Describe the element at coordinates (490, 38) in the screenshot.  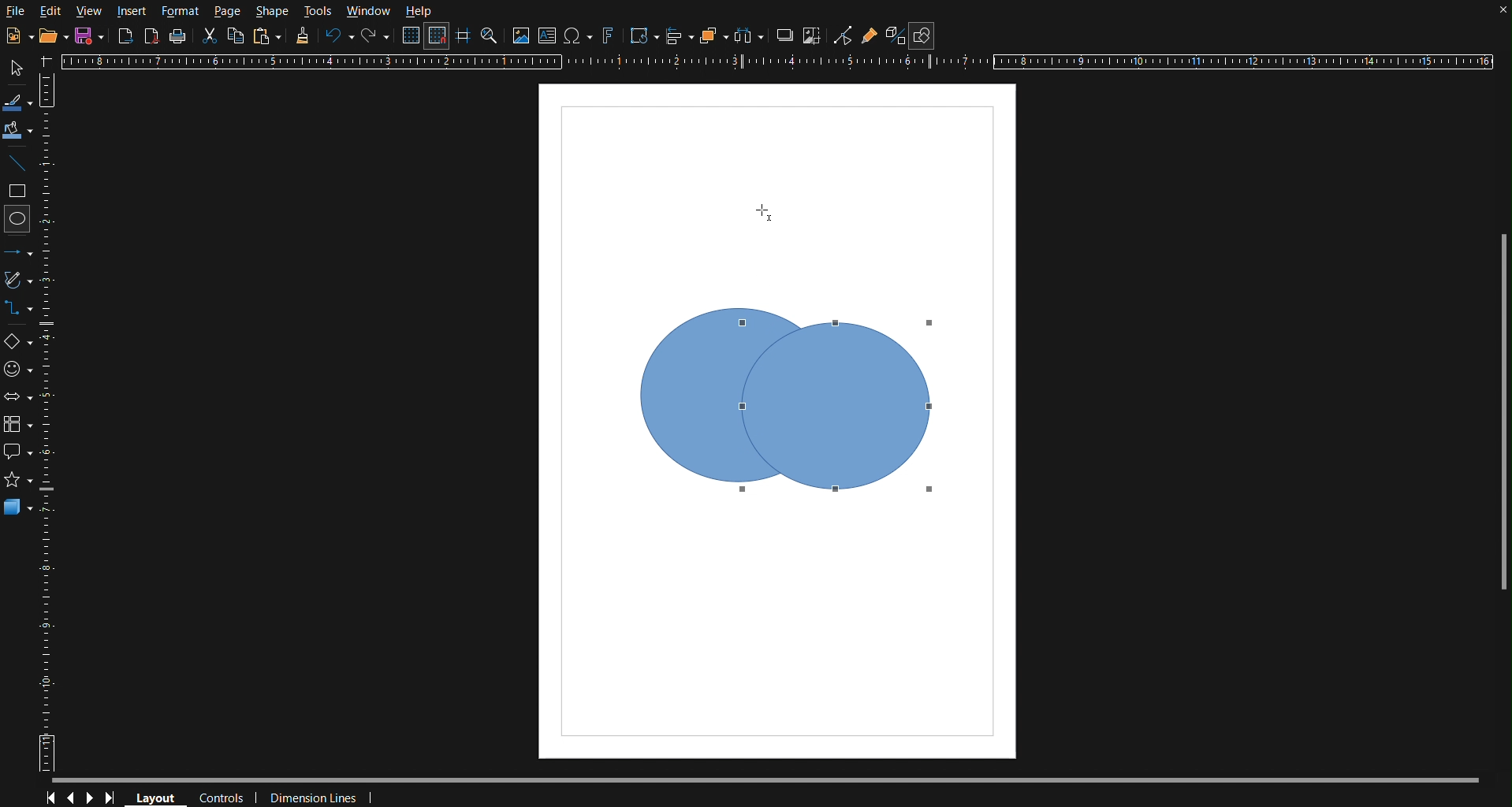
I see `Zoom and Pan` at that location.